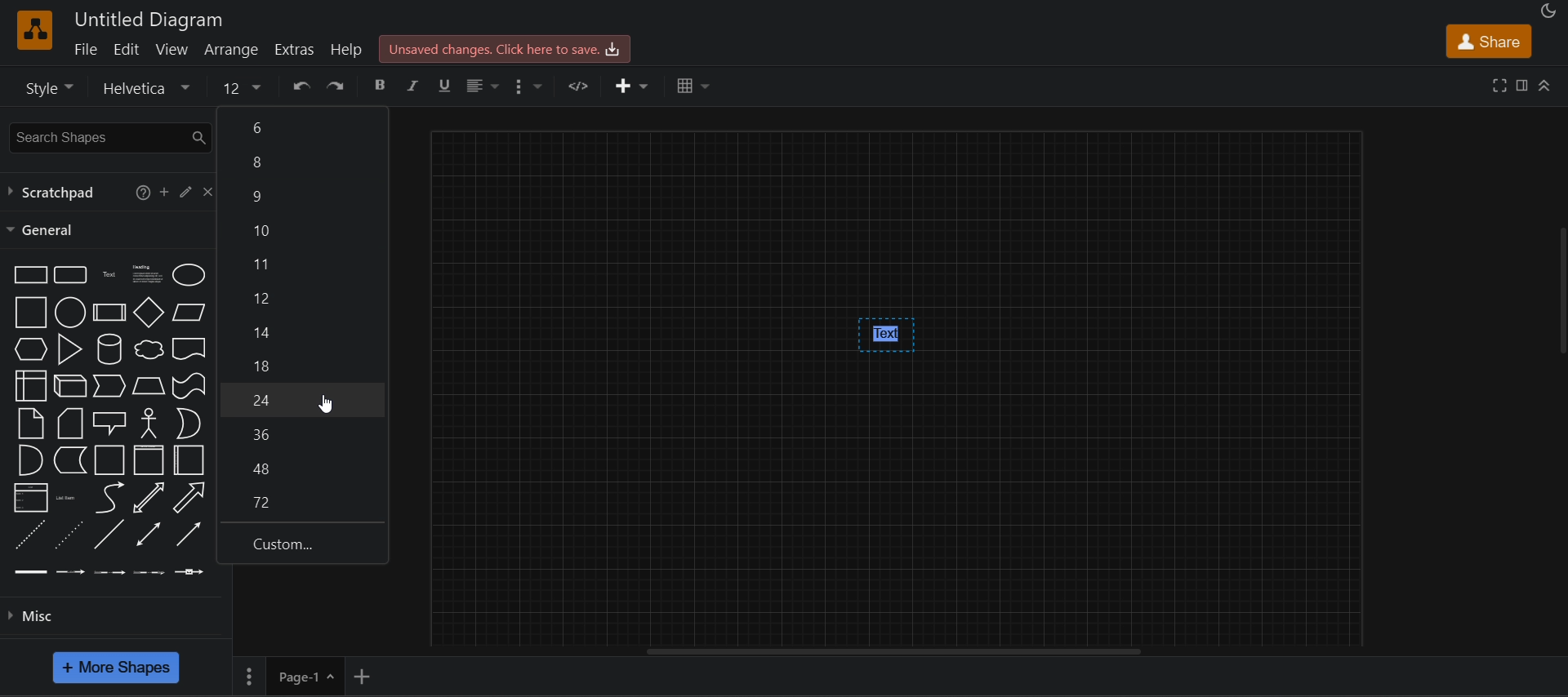 This screenshot has width=1568, height=697. What do you see at coordinates (243, 86) in the screenshot?
I see `font size` at bounding box center [243, 86].